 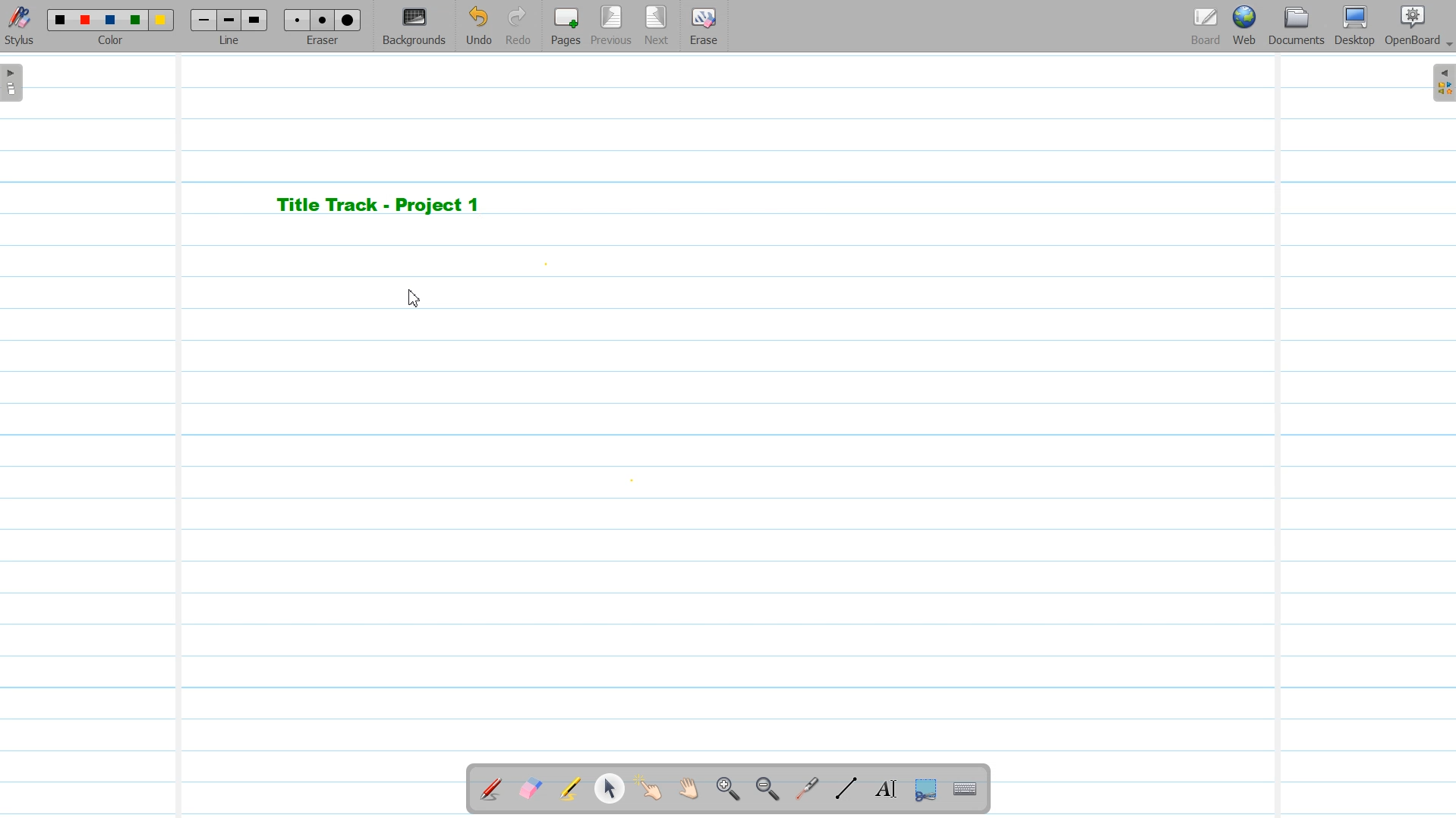 I want to click on Previous, so click(x=613, y=27).